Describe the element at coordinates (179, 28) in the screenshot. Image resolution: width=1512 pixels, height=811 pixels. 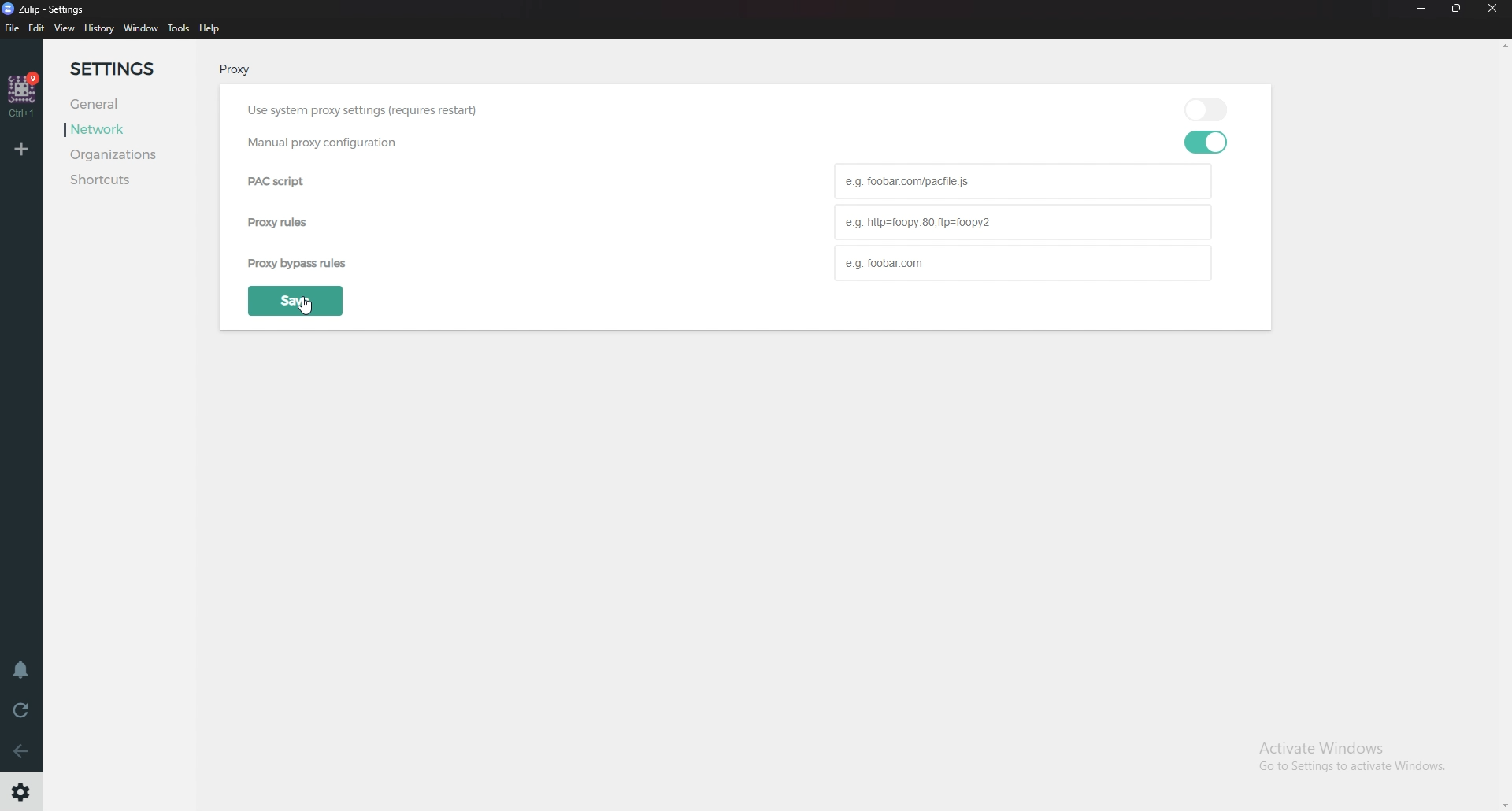
I see `Tools` at that location.